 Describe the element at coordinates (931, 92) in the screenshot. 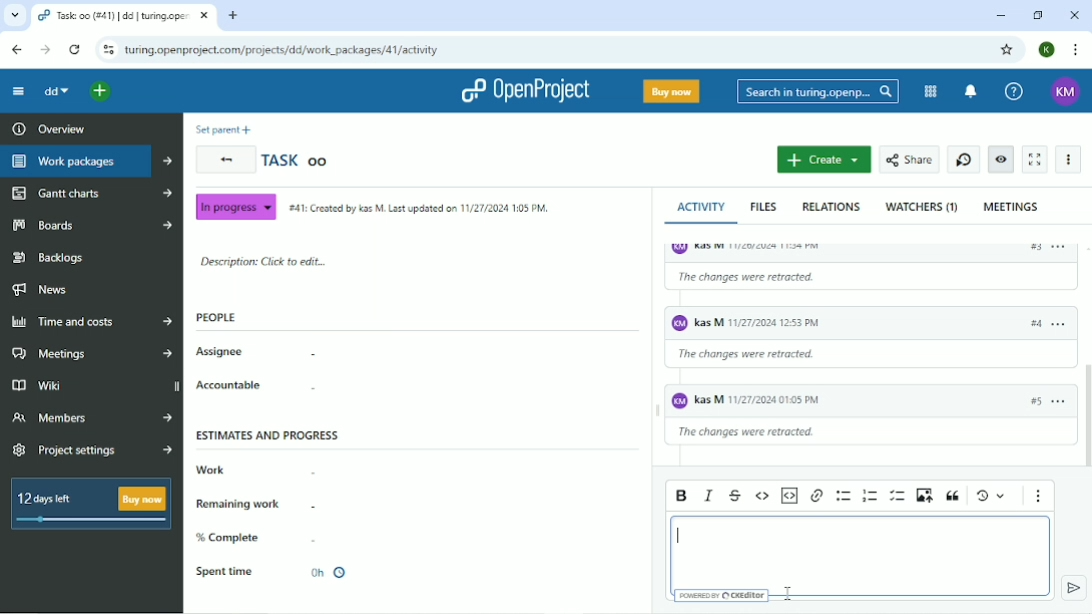

I see `Modules` at that location.